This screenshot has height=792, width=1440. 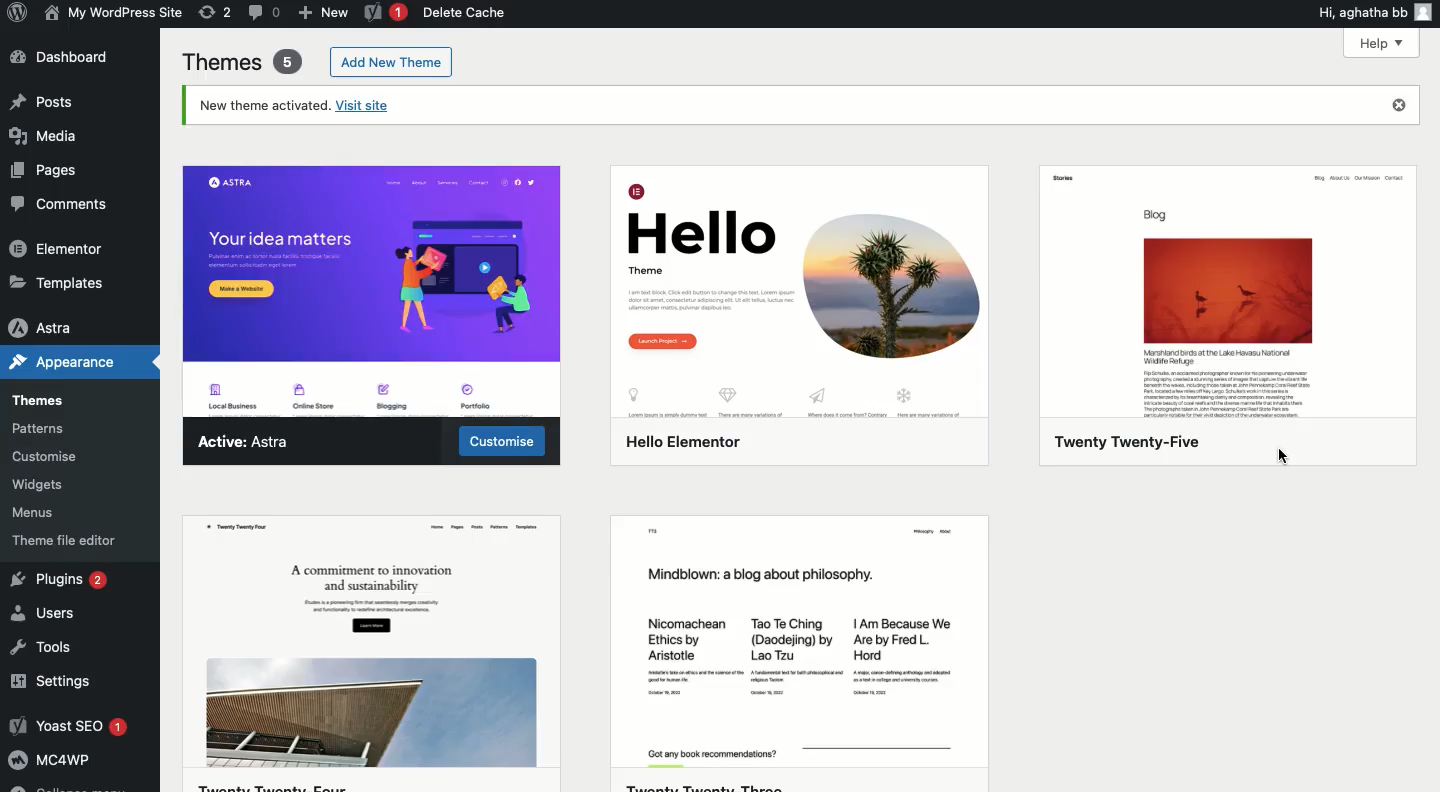 I want to click on Media, so click(x=49, y=133).